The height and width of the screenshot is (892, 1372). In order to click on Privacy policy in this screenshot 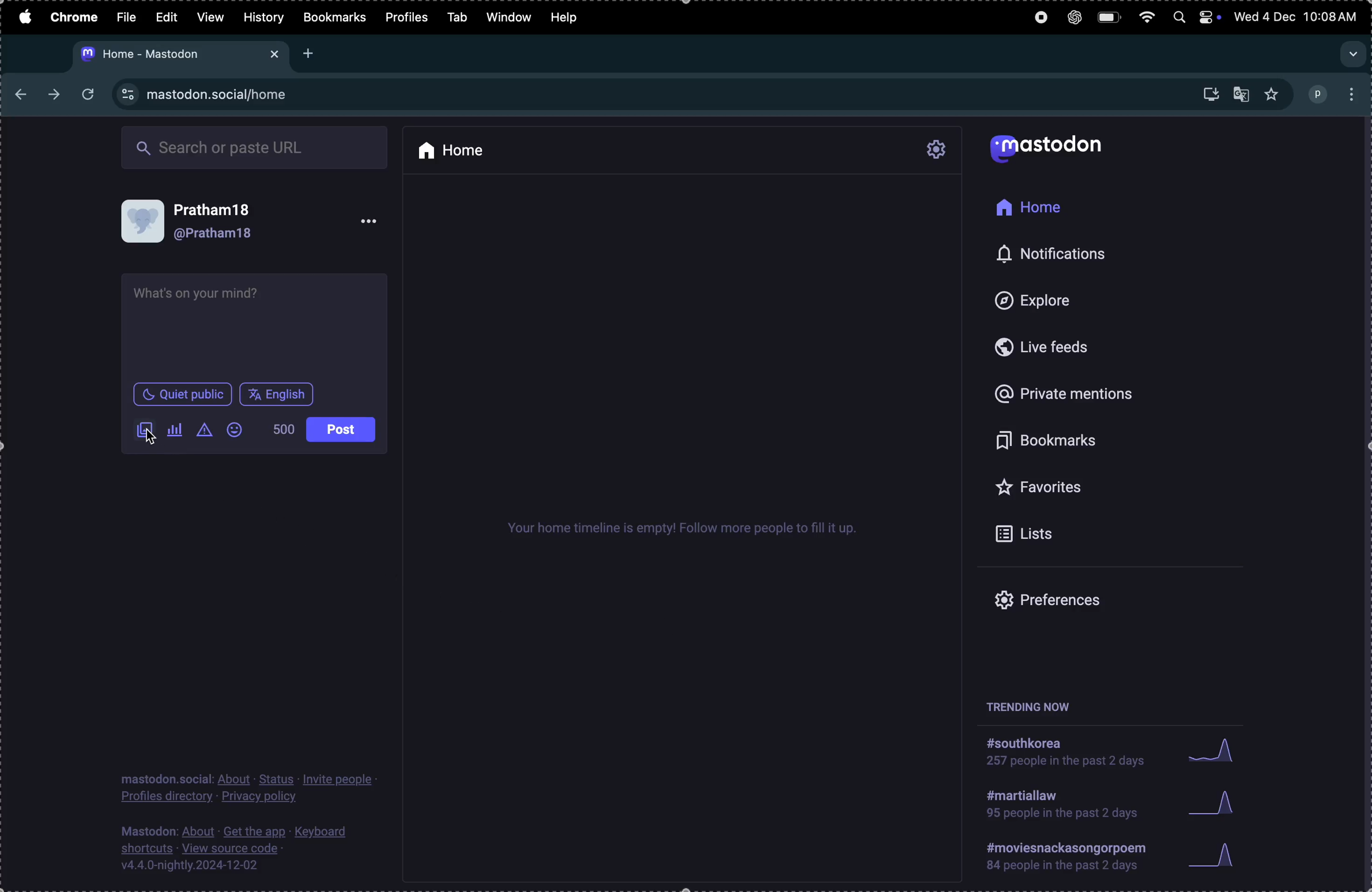, I will do `click(249, 788)`.